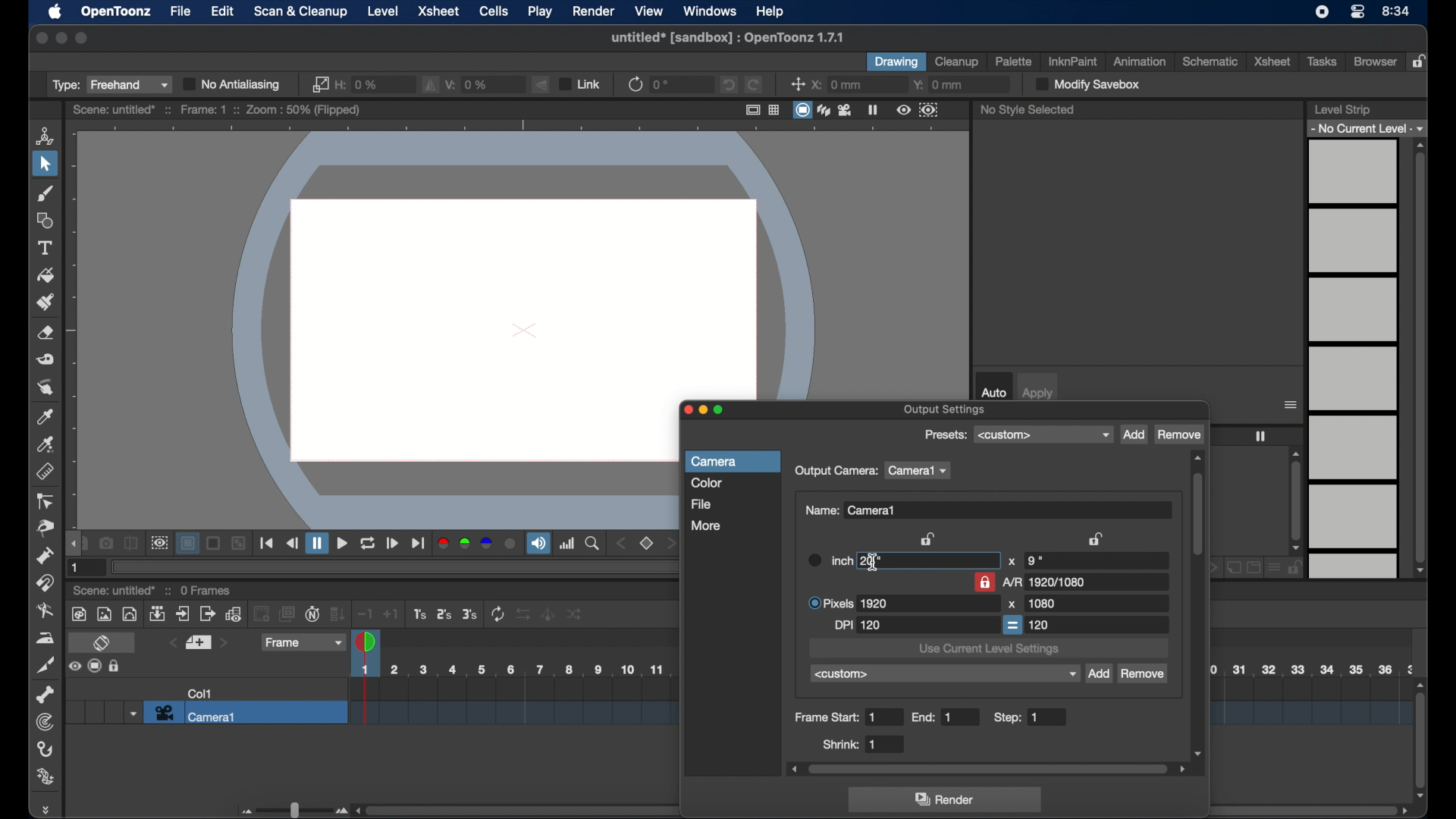  Describe the element at coordinates (1041, 603) in the screenshot. I see `1080` at that location.